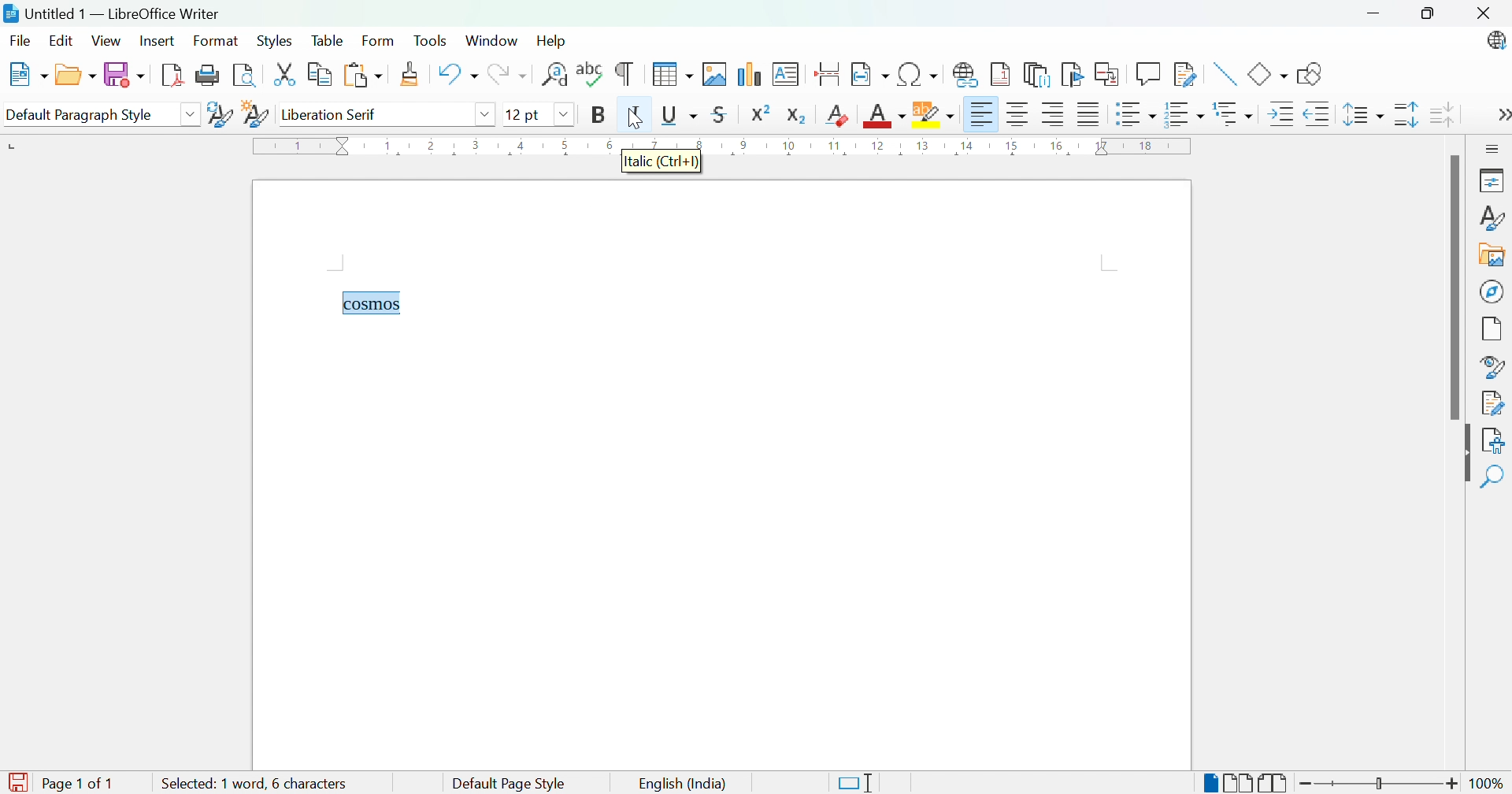 The height and width of the screenshot is (794, 1512). Describe the element at coordinates (489, 117) in the screenshot. I see `Drop down` at that location.